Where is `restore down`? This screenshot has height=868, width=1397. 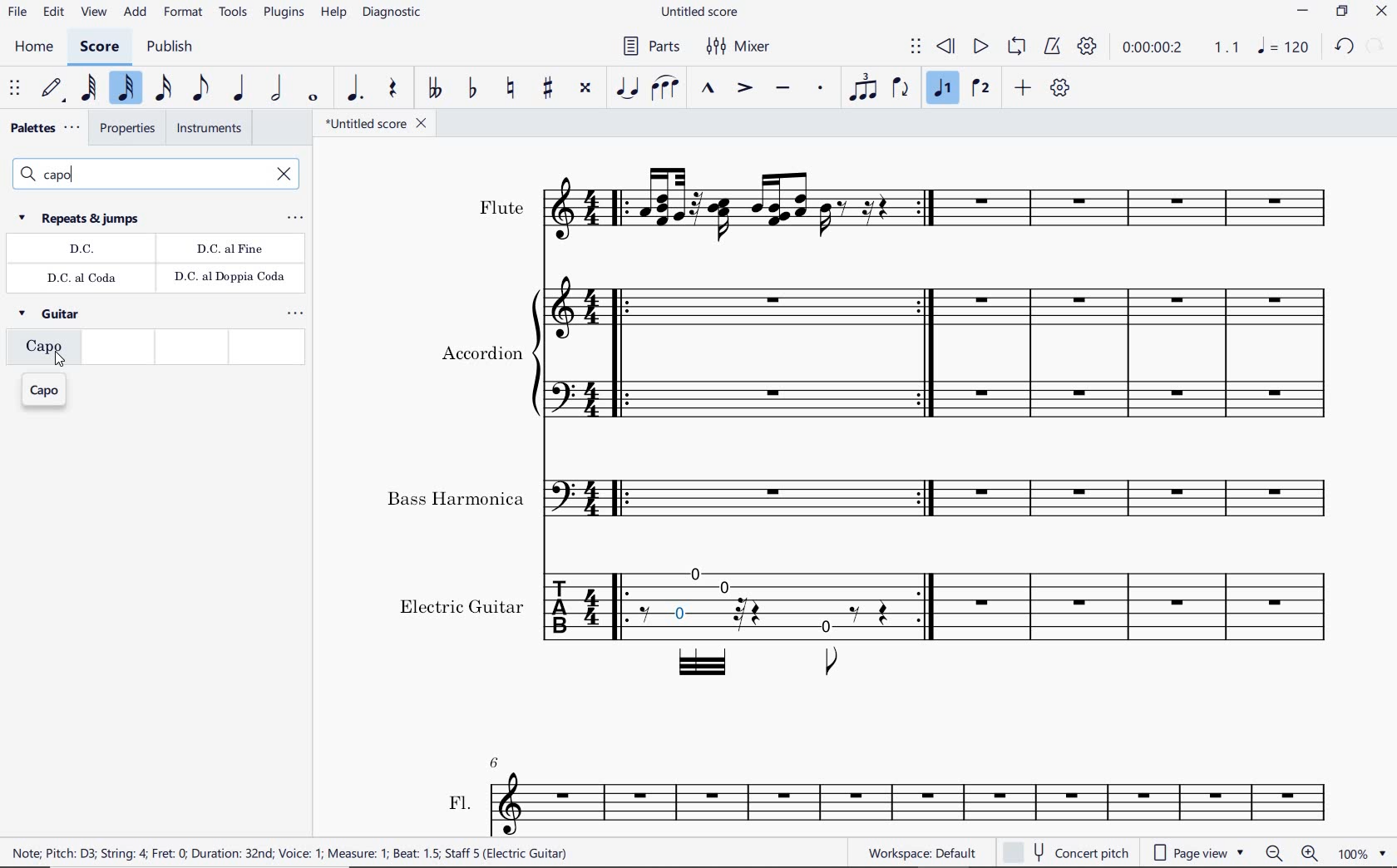 restore down is located at coordinates (1341, 12).